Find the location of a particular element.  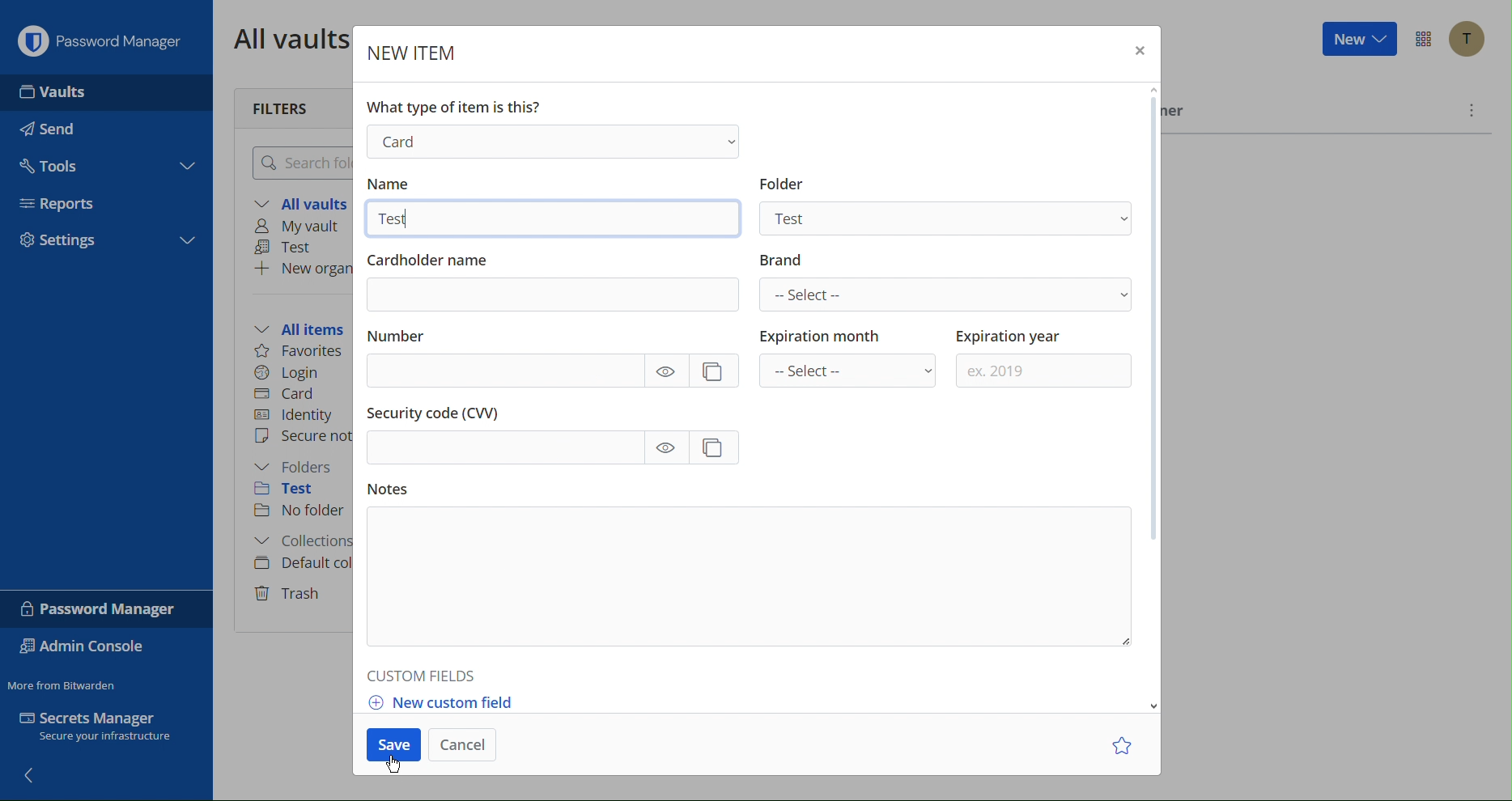

New is located at coordinates (1358, 38).